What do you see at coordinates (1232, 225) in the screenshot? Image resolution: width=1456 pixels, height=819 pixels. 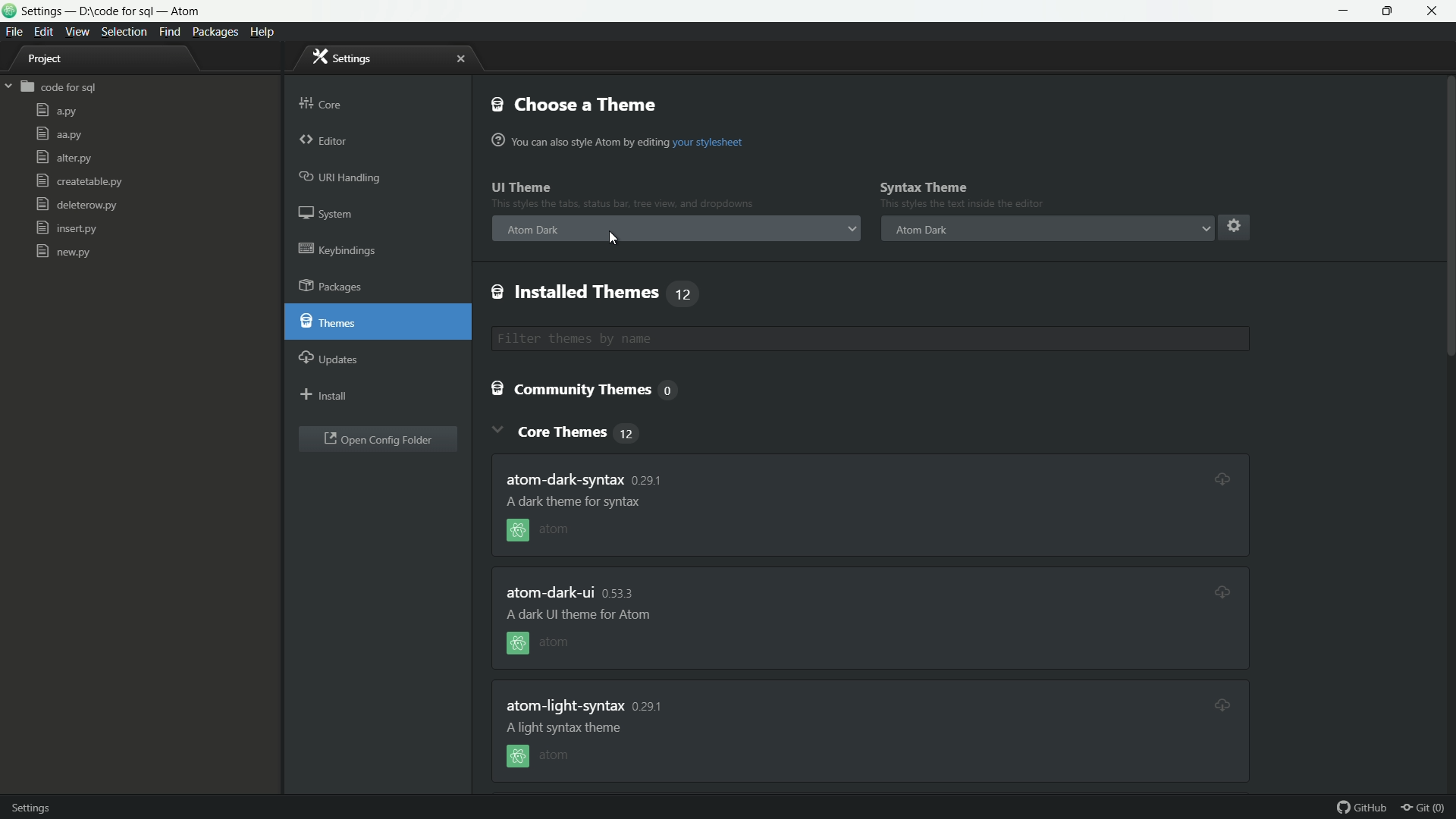 I see `settings` at bounding box center [1232, 225].